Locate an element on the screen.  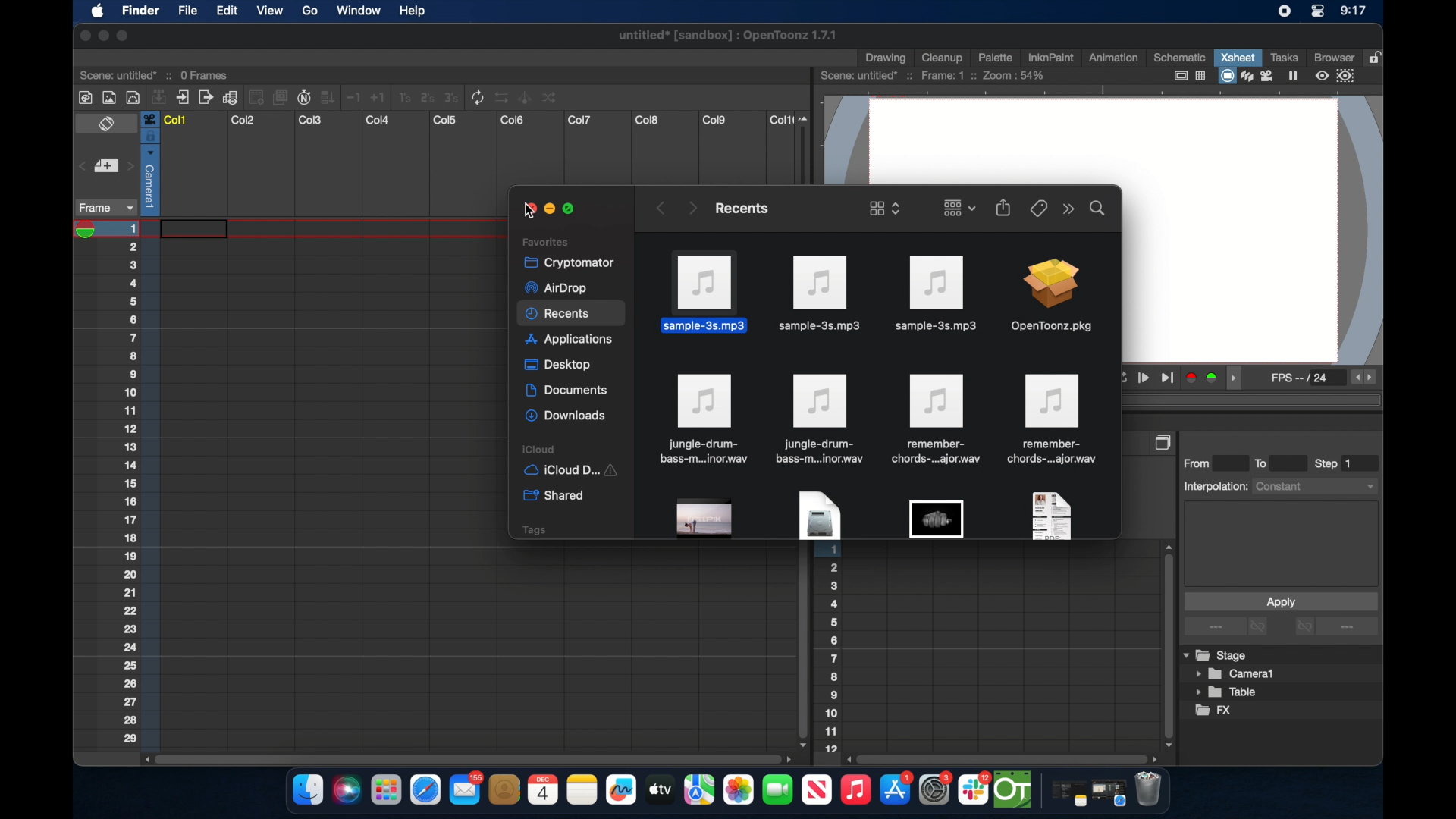
set is located at coordinates (105, 167).